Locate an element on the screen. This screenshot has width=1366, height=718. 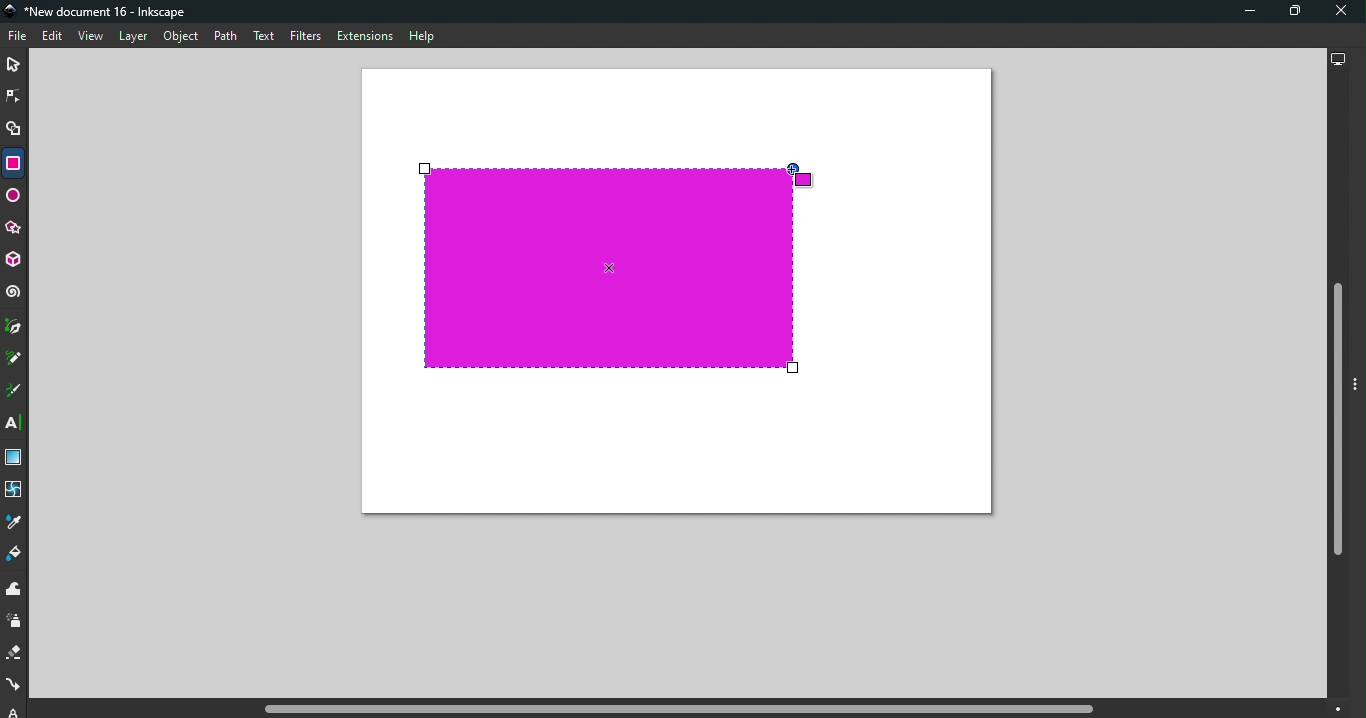
Spray tool is located at coordinates (17, 622).